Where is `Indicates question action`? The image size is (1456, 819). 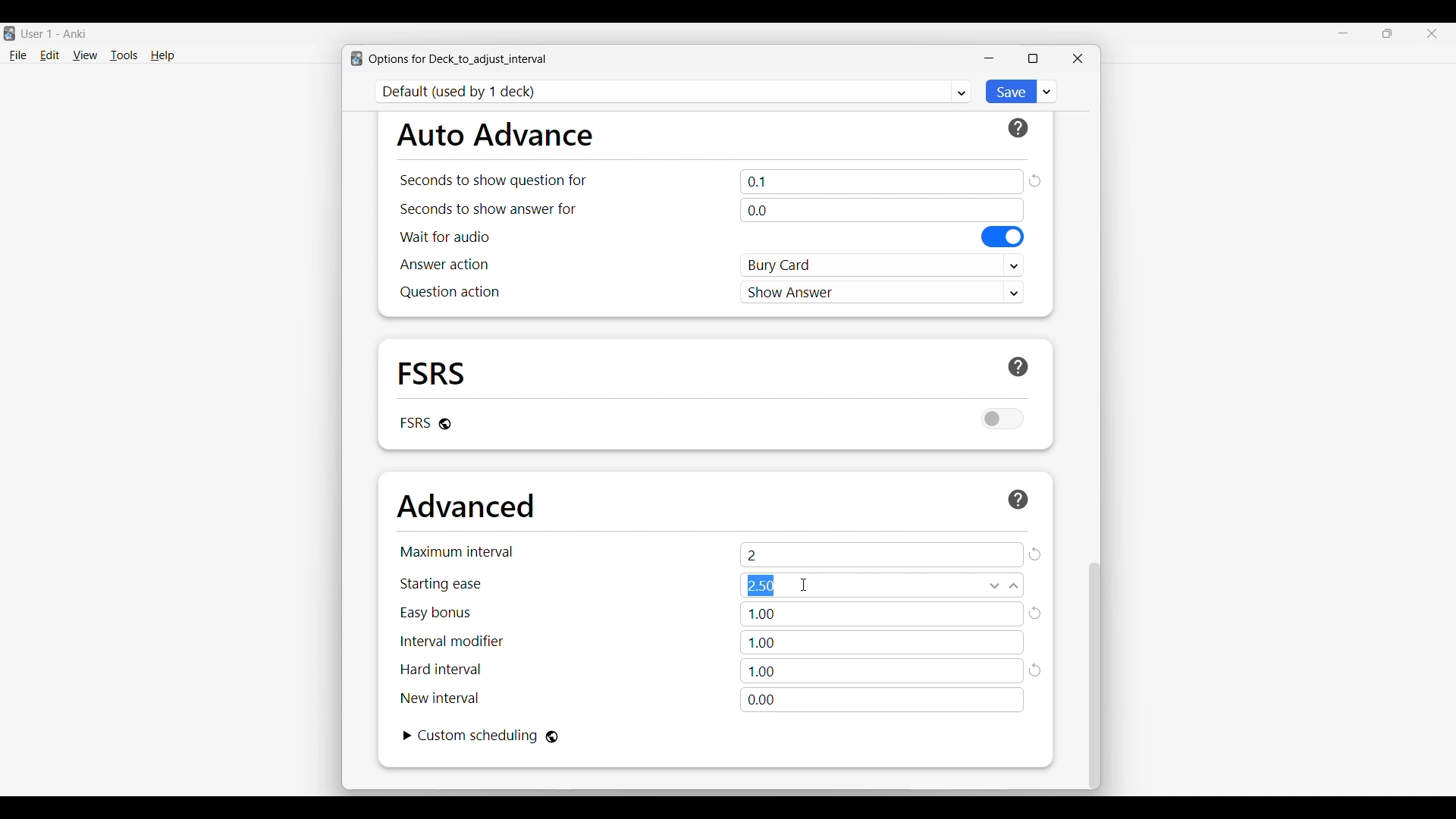 Indicates question action is located at coordinates (450, 292).